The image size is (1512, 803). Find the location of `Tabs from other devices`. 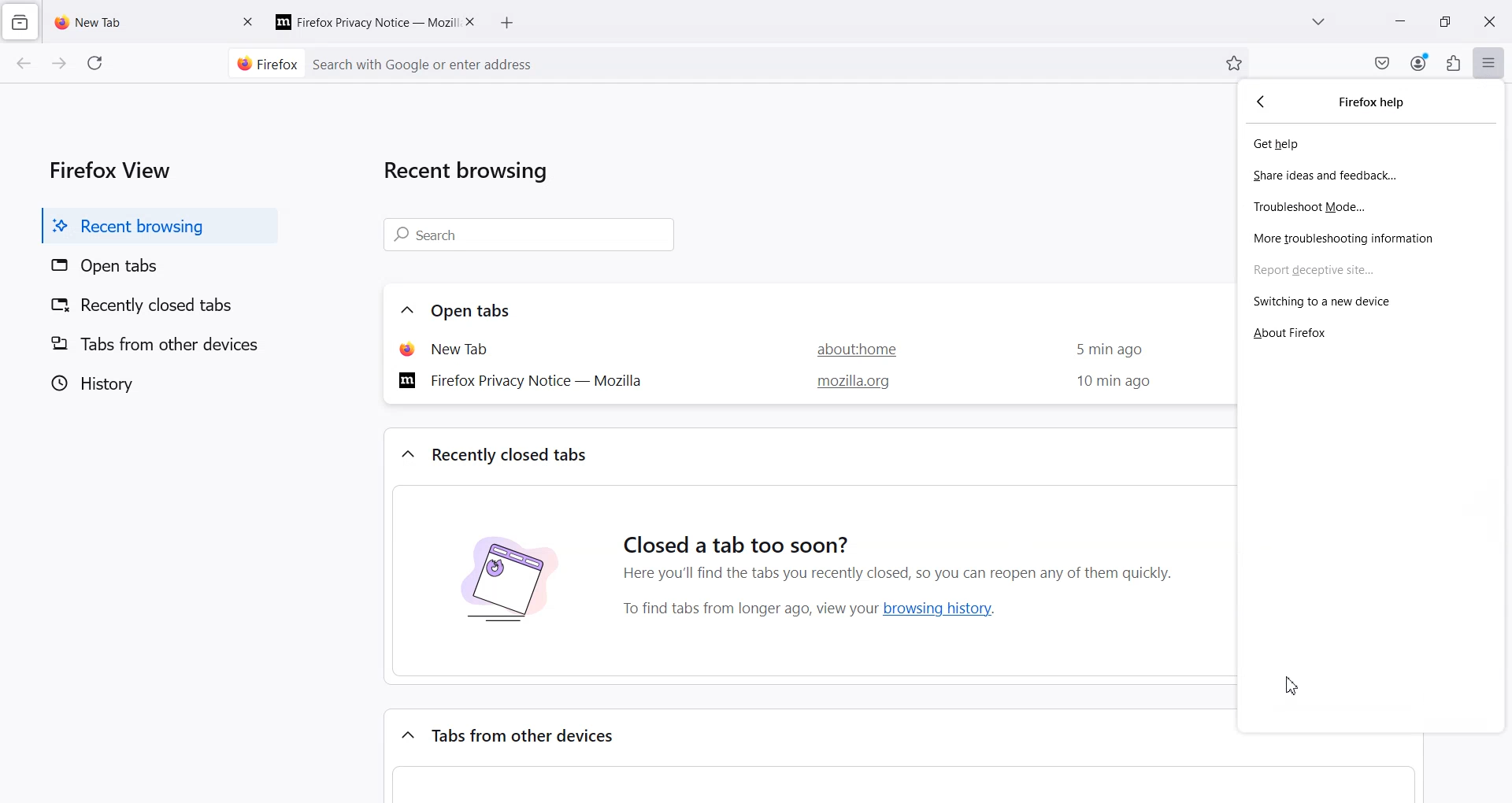

Tabs from other devices is located at coordinates (528, 736).